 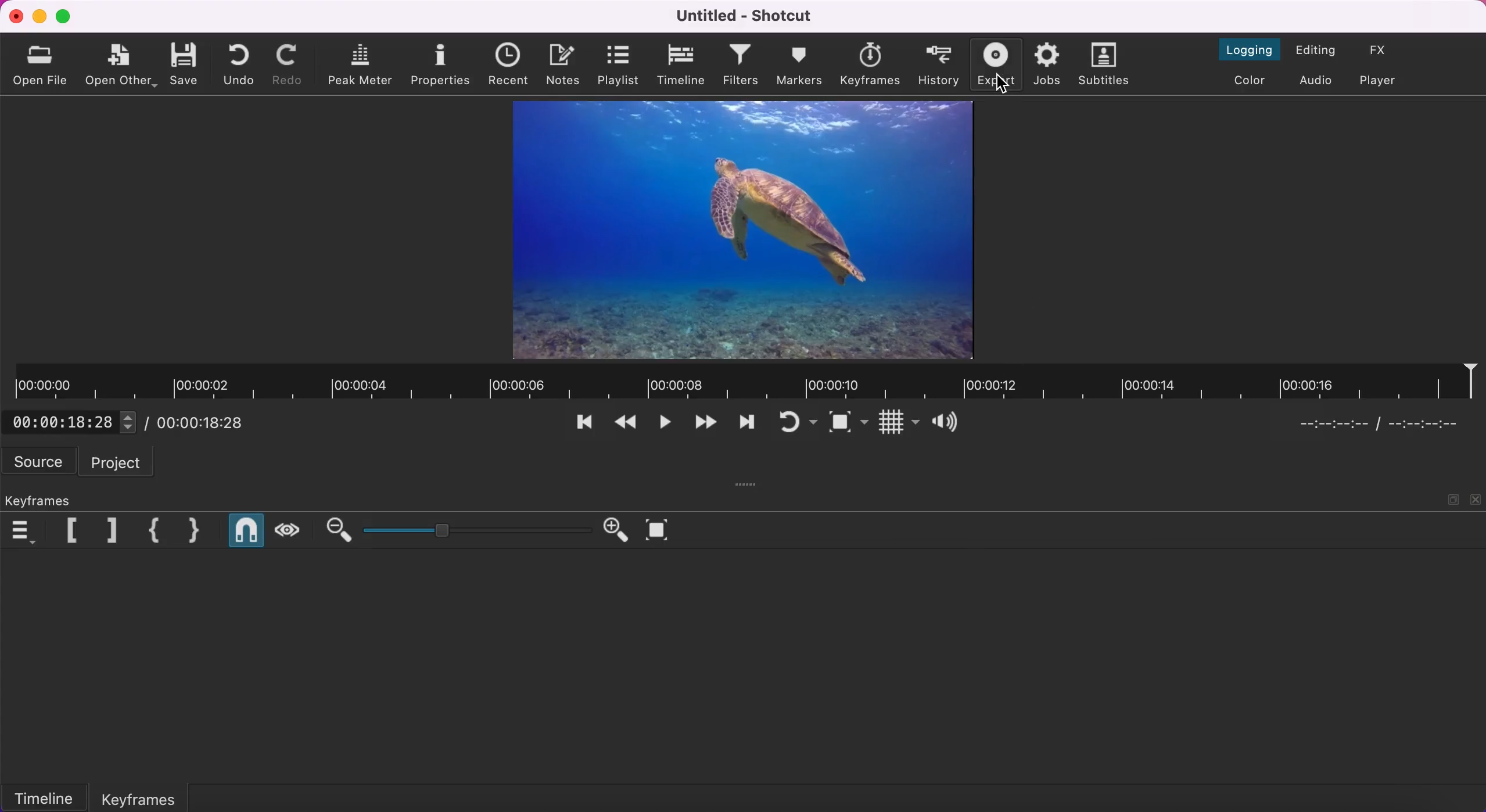 What do you see at coordinates (563, 64) in the screenshot?
I see `notes` at bounding box center [563, 64].